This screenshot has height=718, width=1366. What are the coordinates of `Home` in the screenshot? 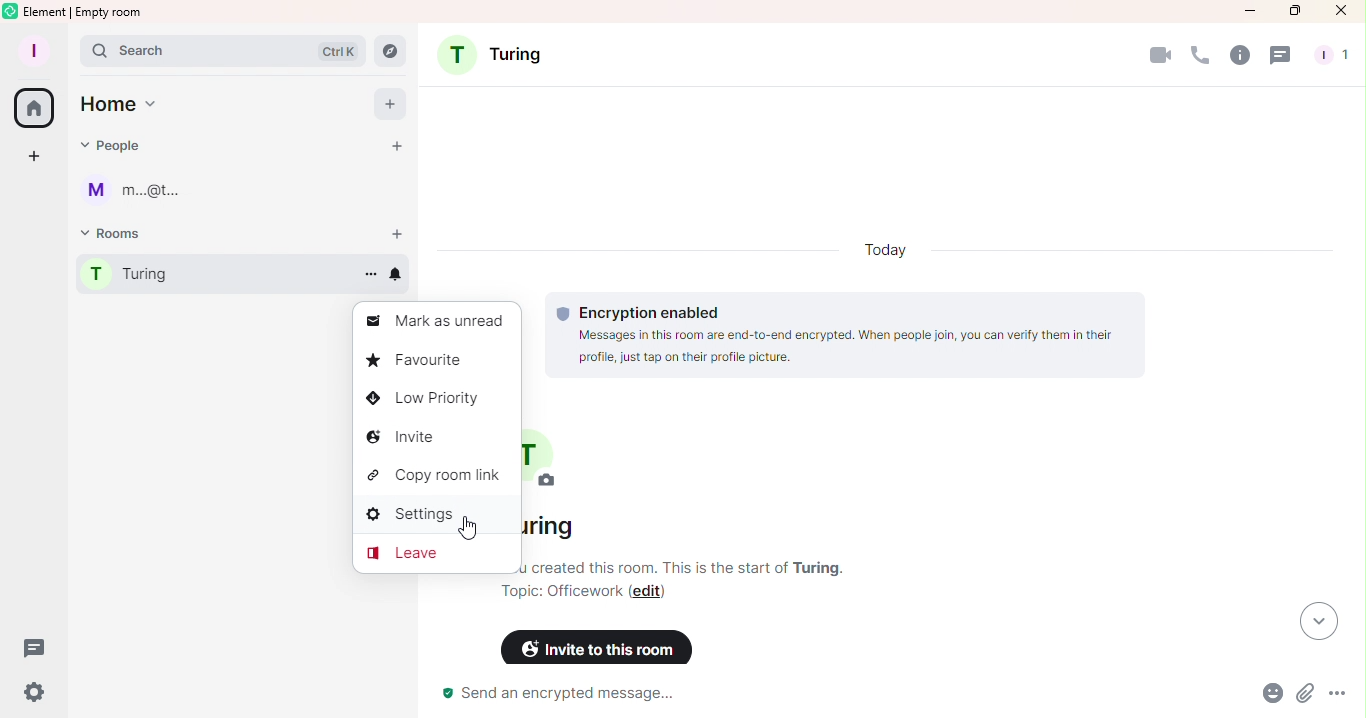 It's located at (40, 108).